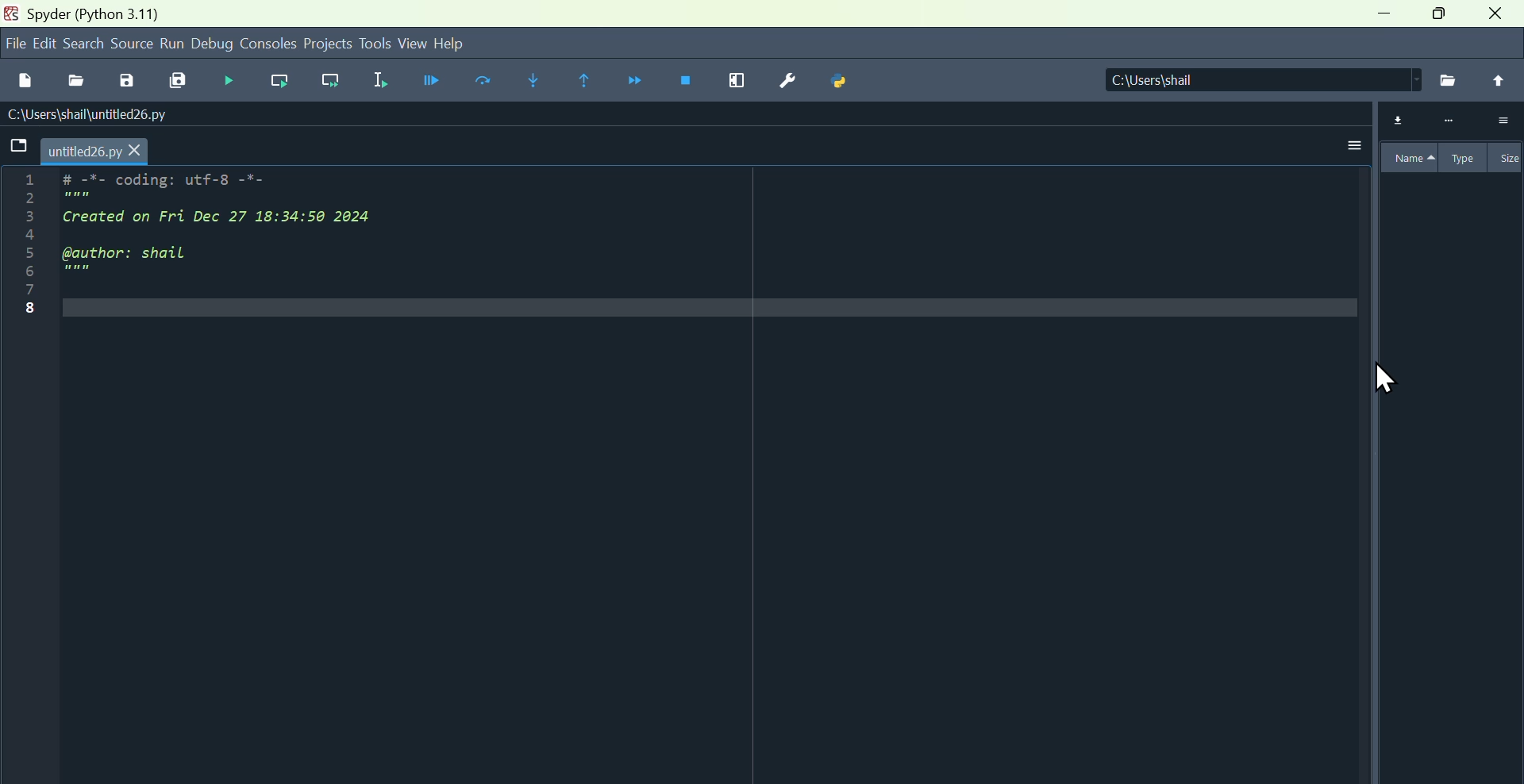 The width and height of the screenshot is (1524, 784). Describe the element at coordinates (1242, 81) in the screenshot. I see `| C:\Users\shail` at that location.